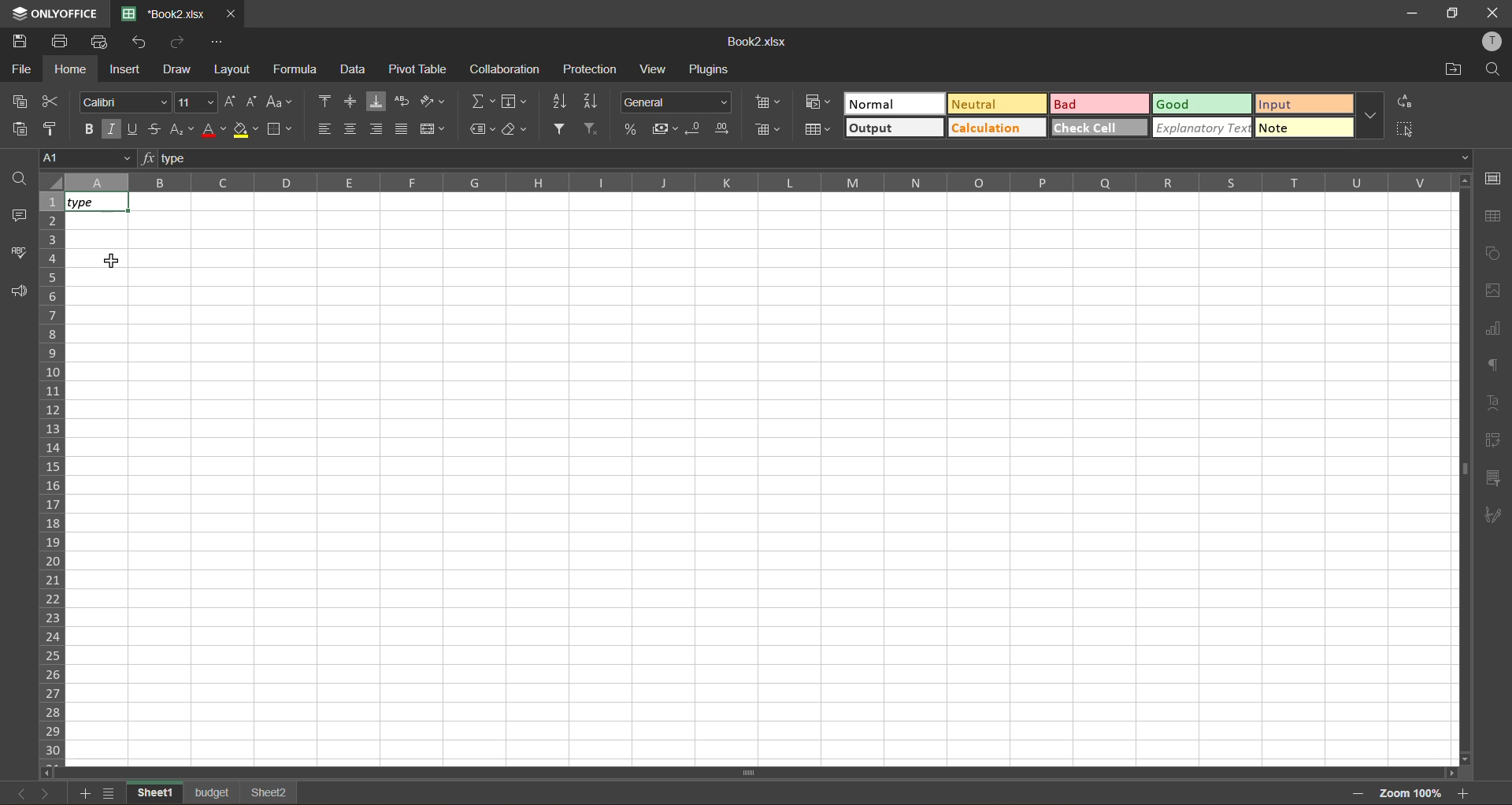 The width and height of the screenshot is (1512, 805). What do you see at coordinates (355, 69) in the screenshot?
I see `data` at bounding box center [355, 69].